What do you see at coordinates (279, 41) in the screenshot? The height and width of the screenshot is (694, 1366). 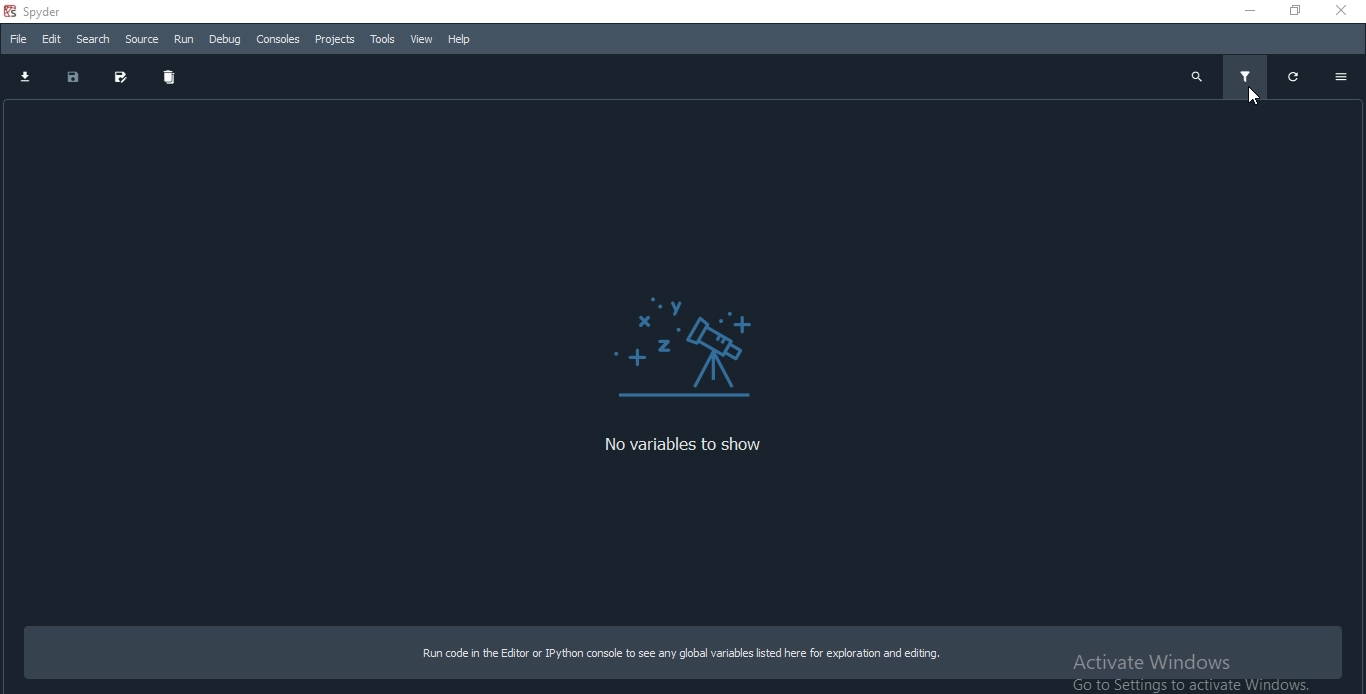 I see `Consoles` at bounding box center [279, 41].